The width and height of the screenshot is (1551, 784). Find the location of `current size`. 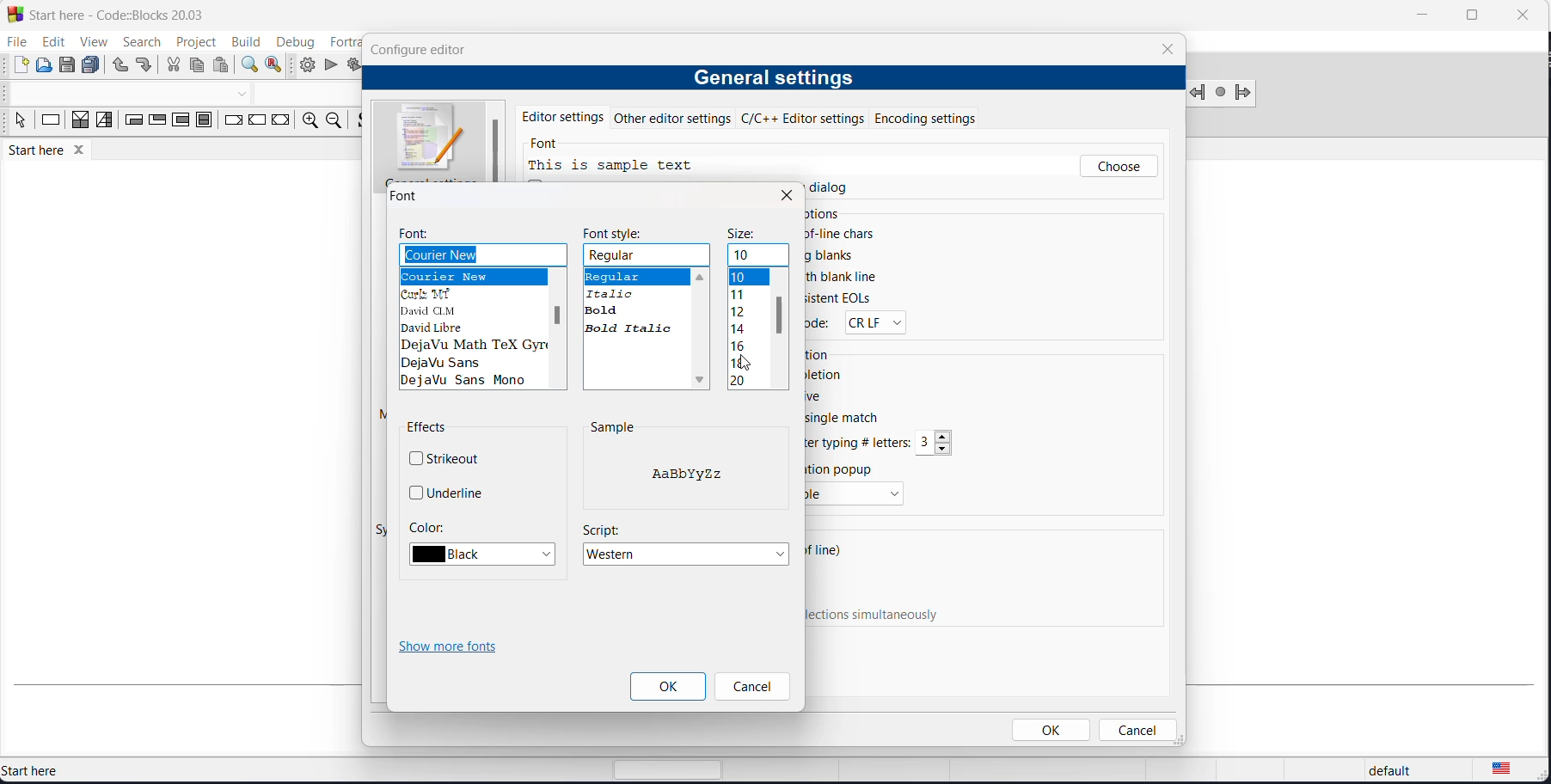

current size is located at coordinates (759, 256).